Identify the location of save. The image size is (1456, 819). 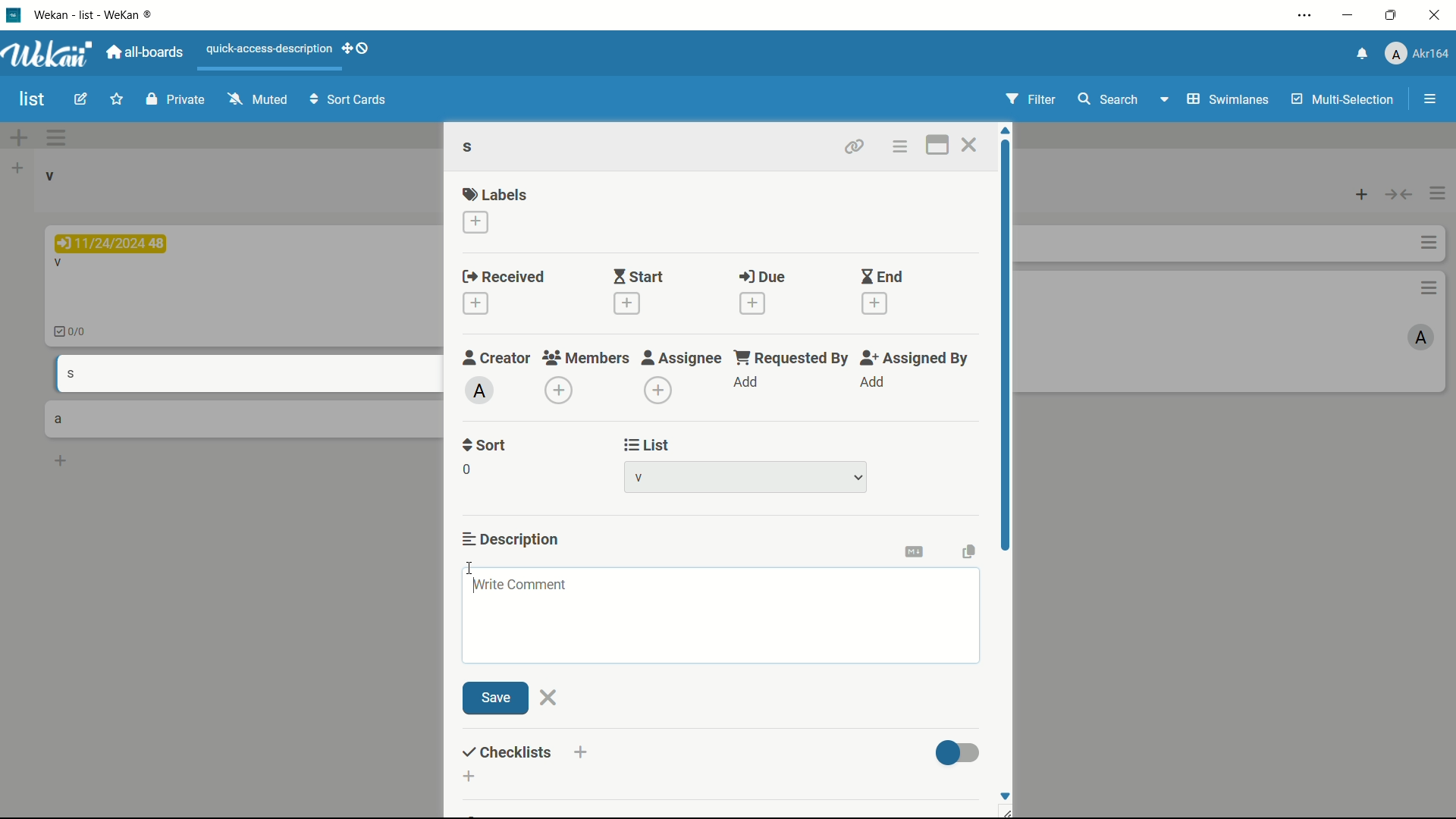
(497, 698).